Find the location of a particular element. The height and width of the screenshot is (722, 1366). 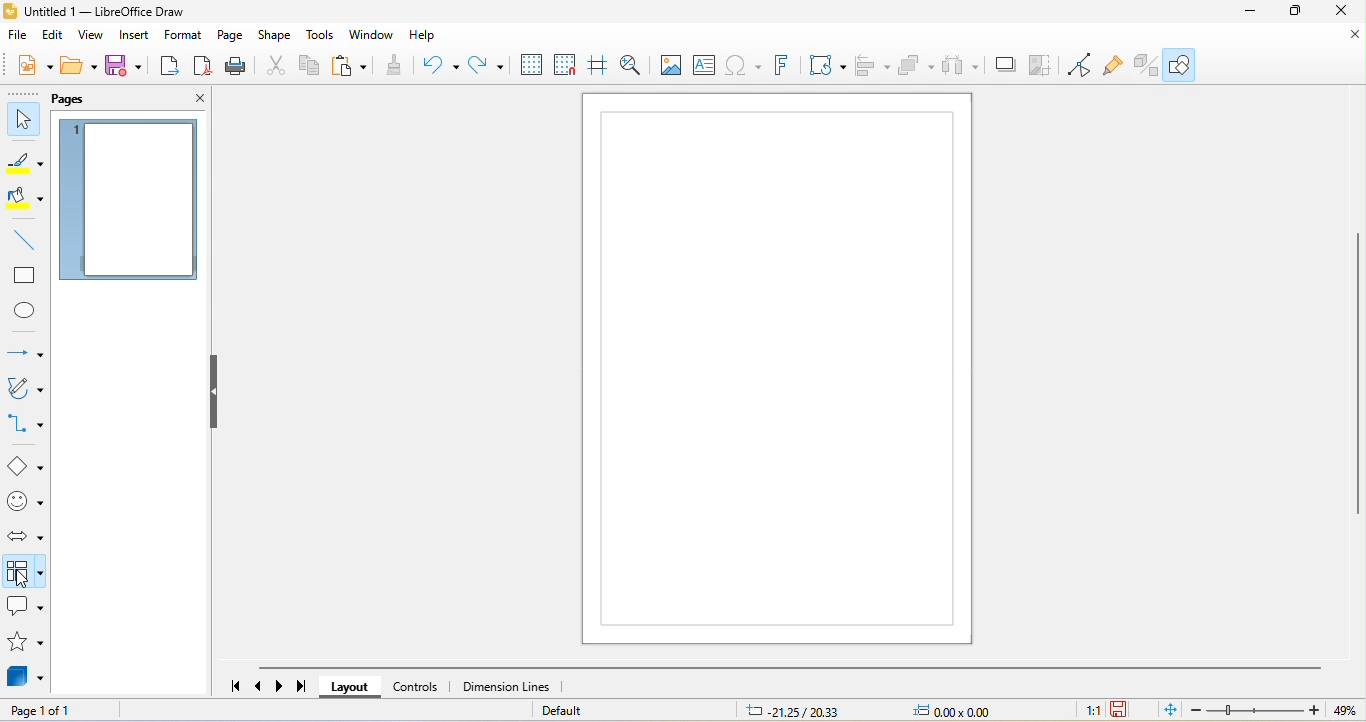

display grid is located at coordinates (533, 66).